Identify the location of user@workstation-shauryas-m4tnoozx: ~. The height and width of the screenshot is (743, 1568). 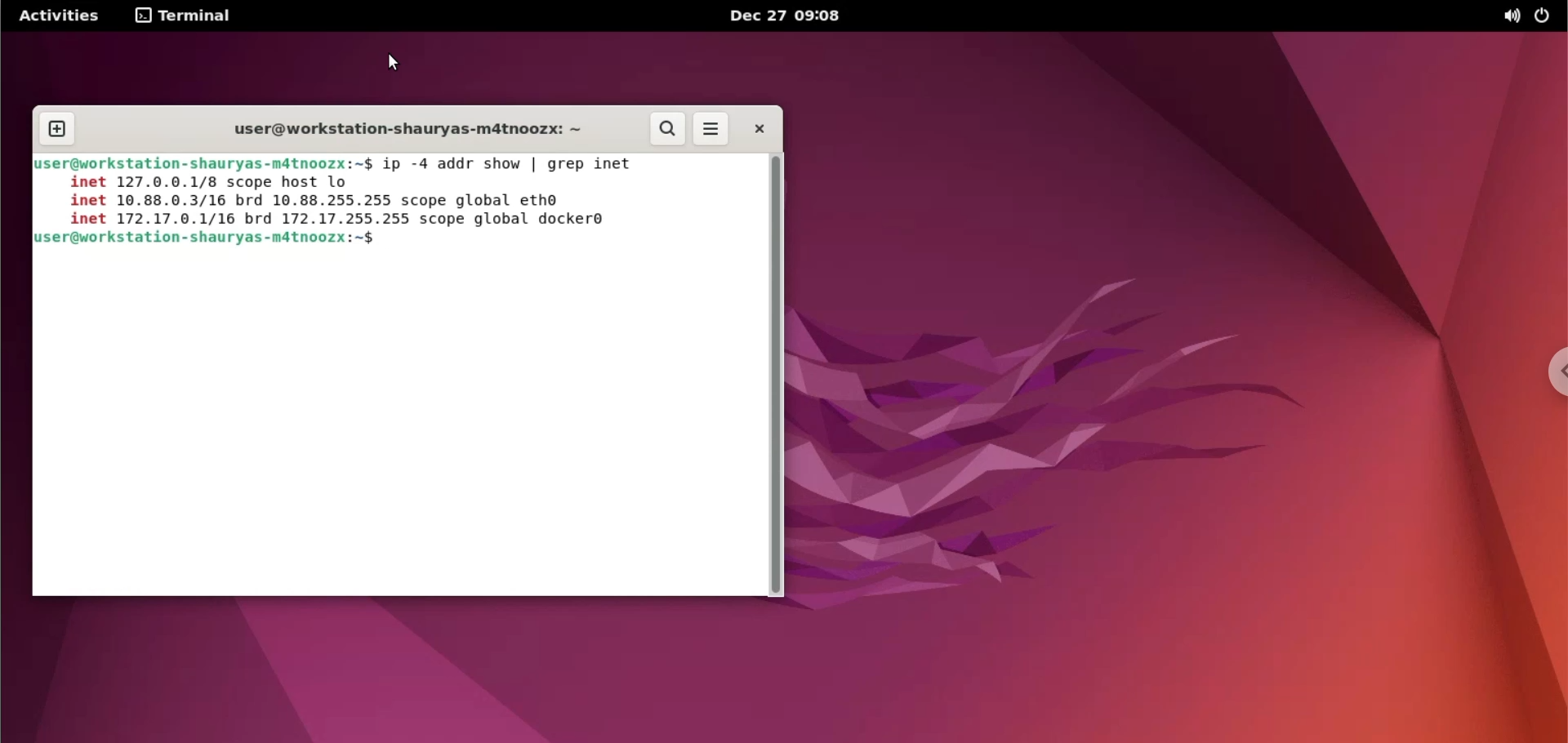
(399, 130).